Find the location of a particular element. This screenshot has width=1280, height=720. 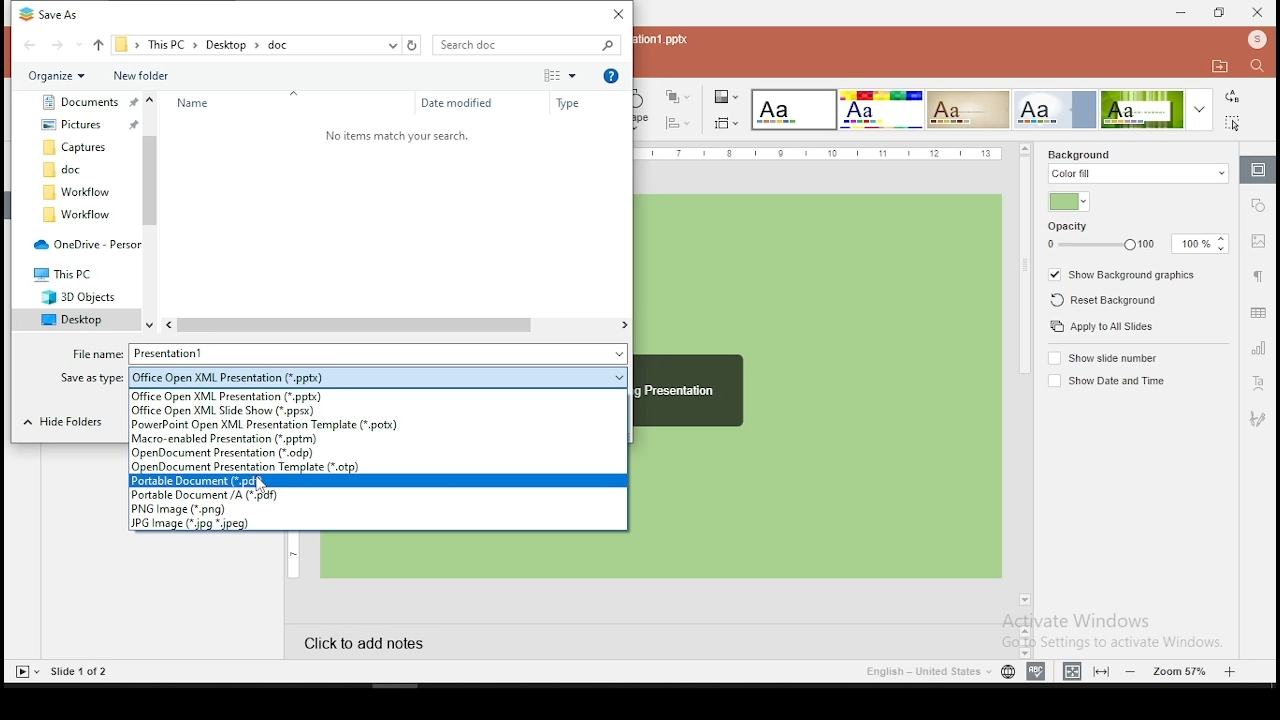

show background graphics is located at coordinates (1125, 275).